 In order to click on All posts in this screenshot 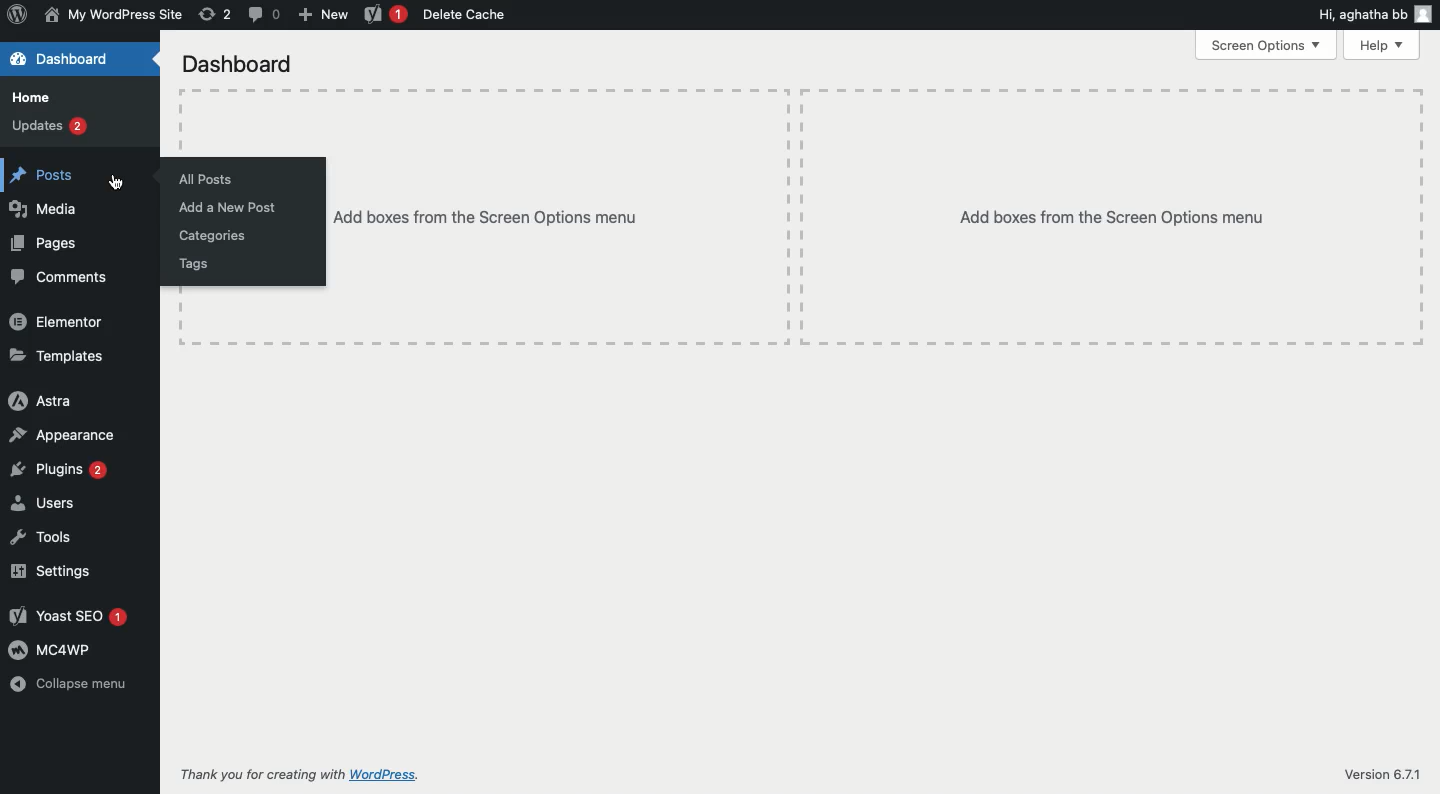, I will do `click(204, 178)`.